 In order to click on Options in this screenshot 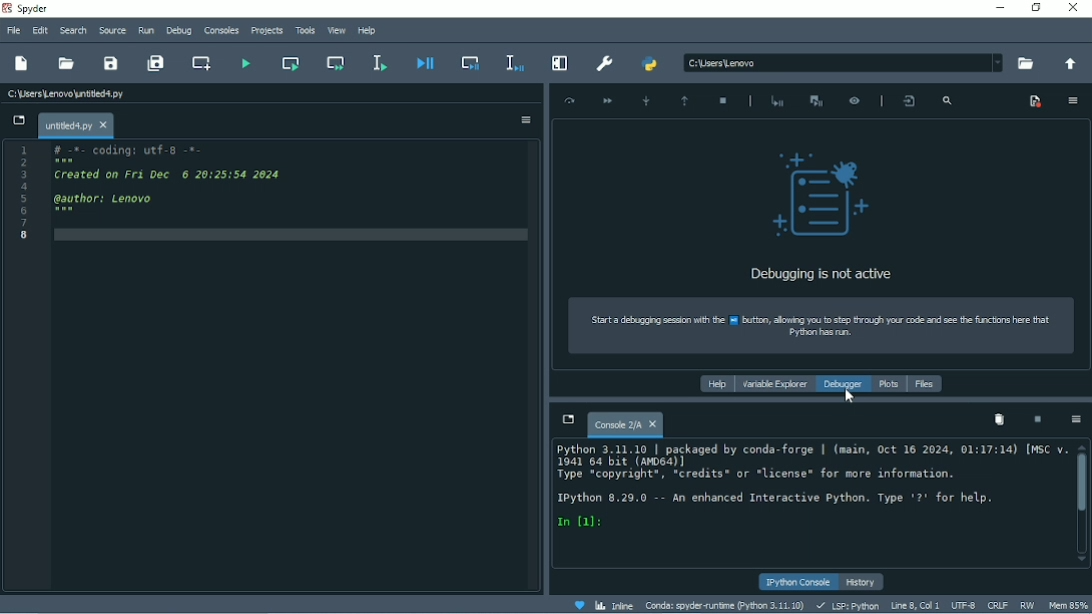, I will do `click(1071, 102)`.